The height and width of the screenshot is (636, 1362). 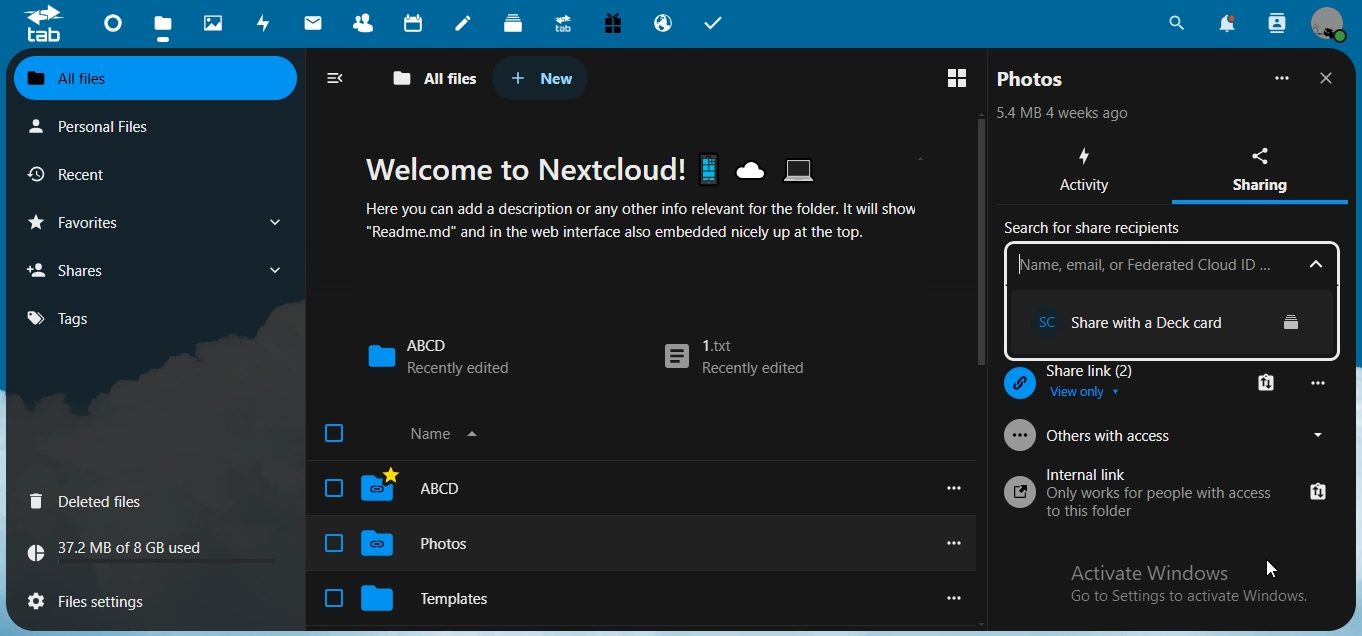 What do you see at coordinates (1158, 326) in the screenshot?
I see `allow upload and editing` at bounding box center [1158, 326].